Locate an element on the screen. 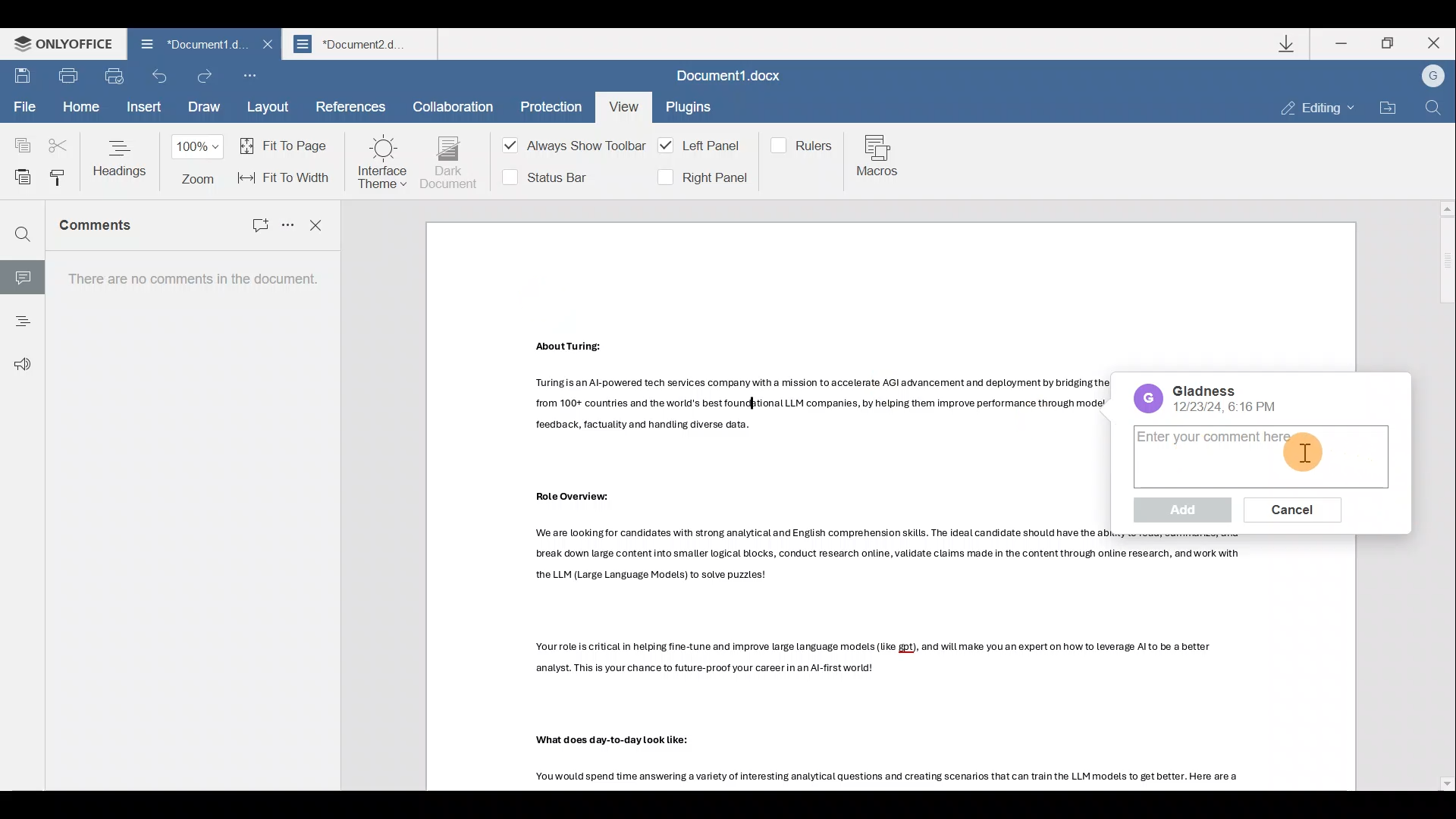 The width and height of the screenshot is (1456, 819). Headings is located at coordinates (121, 158).